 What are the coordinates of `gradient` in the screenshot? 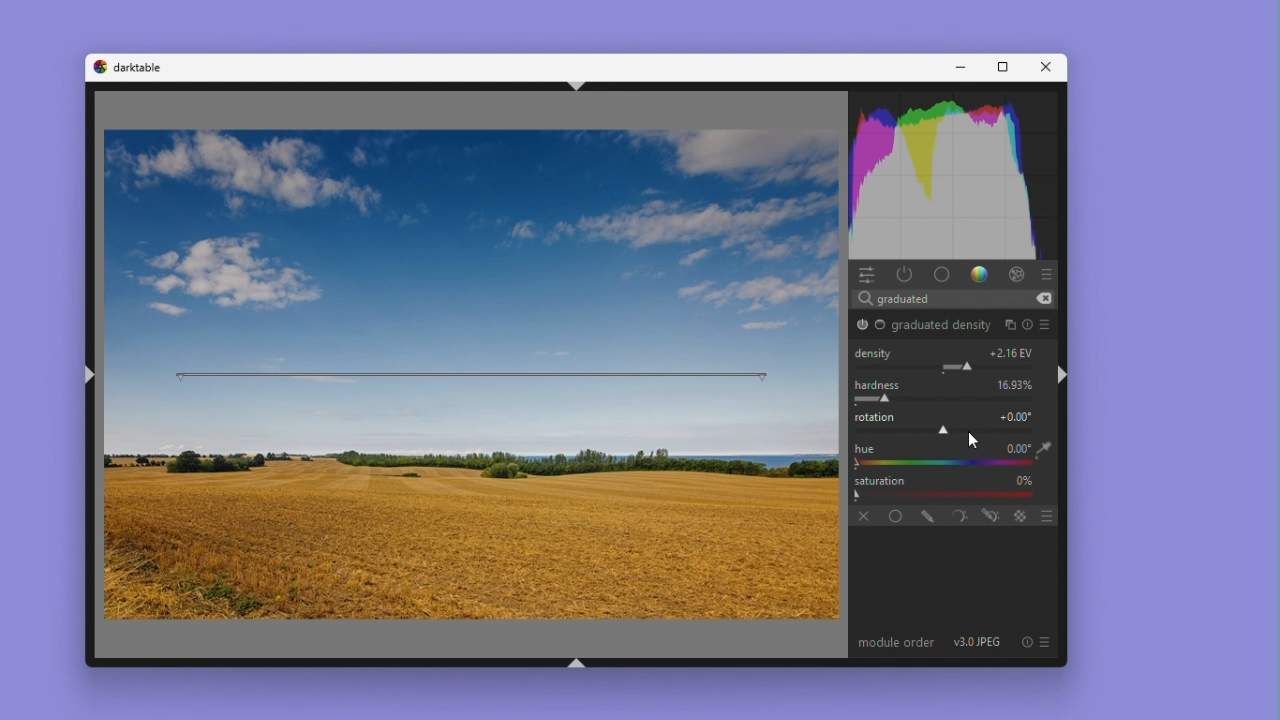 It's located at (977, 273).